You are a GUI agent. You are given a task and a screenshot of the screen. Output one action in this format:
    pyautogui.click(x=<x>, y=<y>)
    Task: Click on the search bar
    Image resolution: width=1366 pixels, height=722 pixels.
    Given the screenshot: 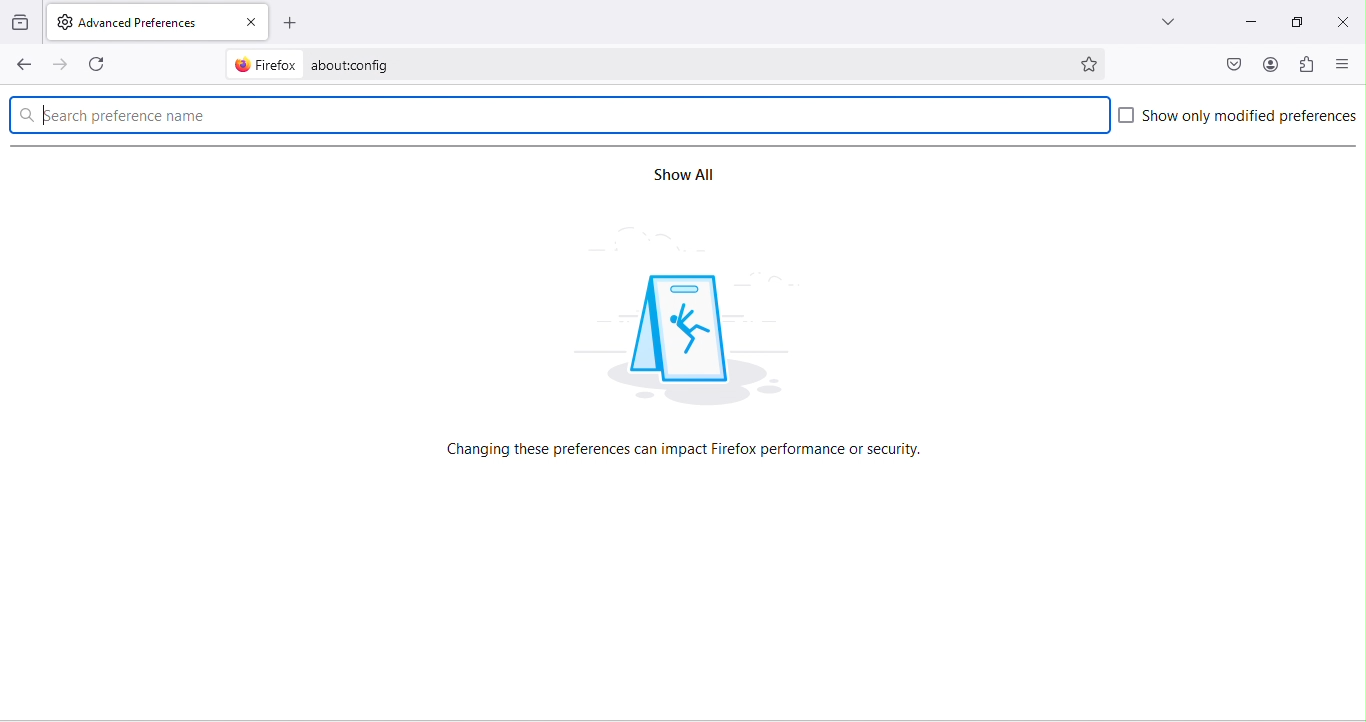 What is the action you would take?
    pyautogui.click(x=559, y=113)
    